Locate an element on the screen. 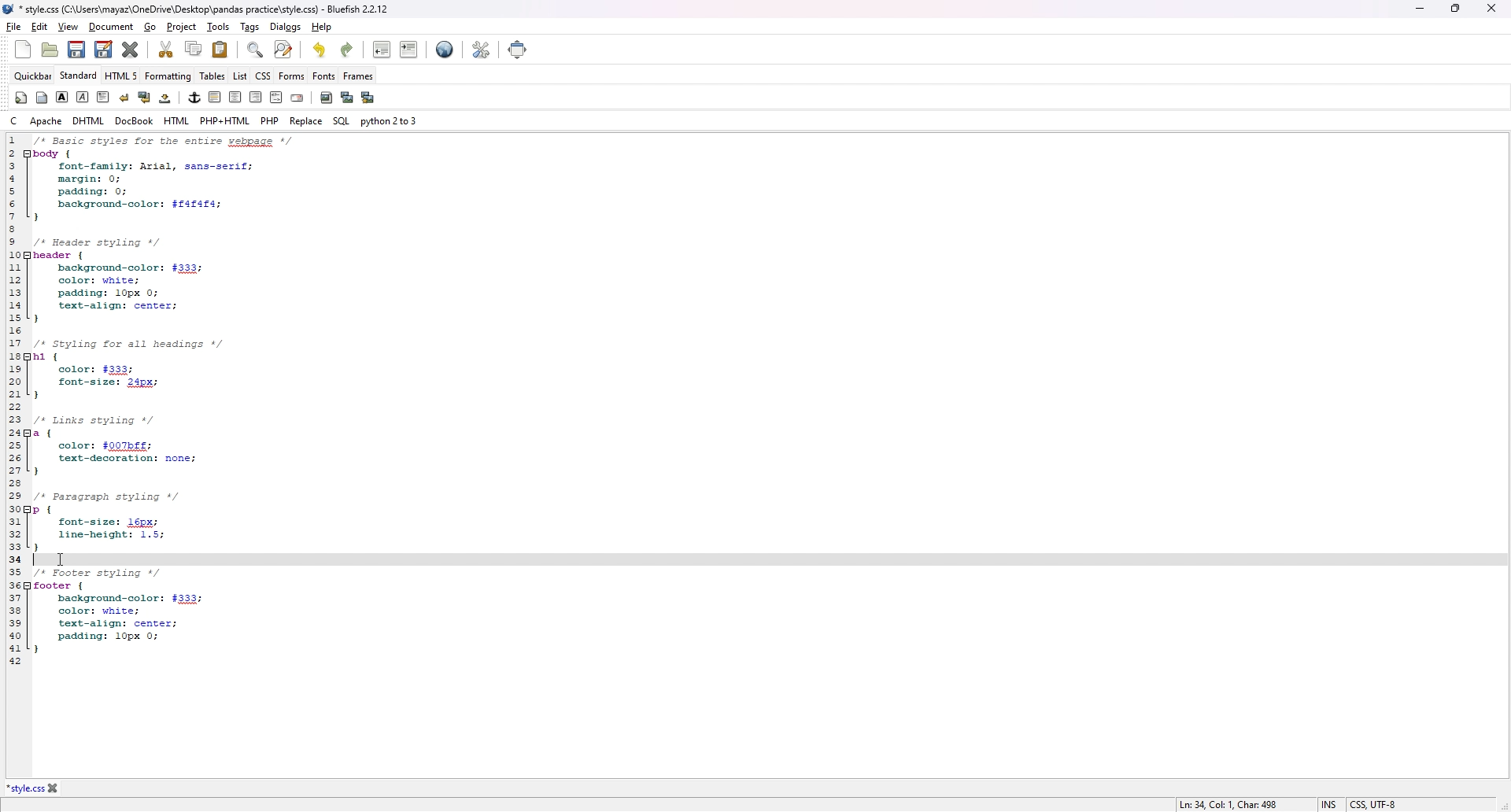  tools is located at coordinates (218, 26).